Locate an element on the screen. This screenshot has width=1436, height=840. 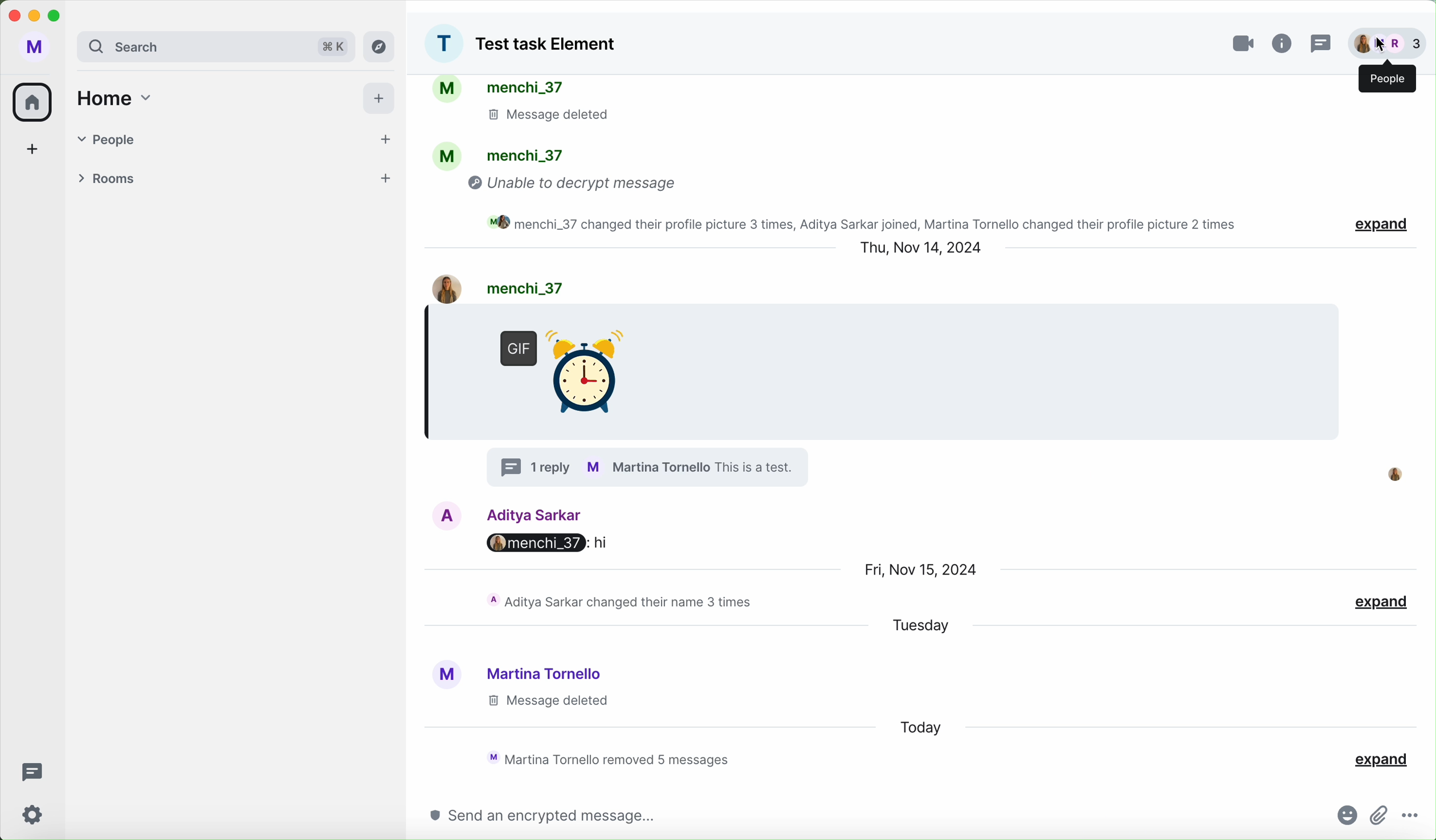
user profile is located at coordinates (35, 47).